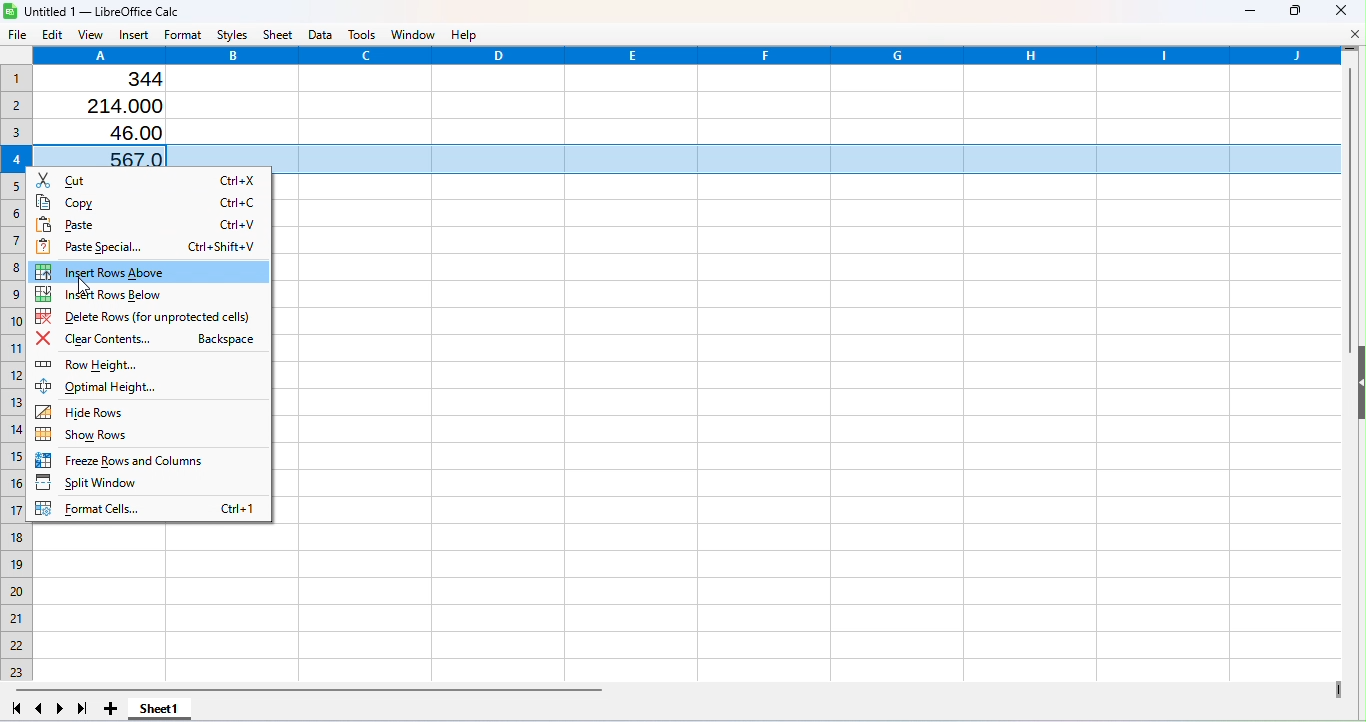 This screenshot has height=722, width=1366. I want to click on 567.0, so click(118, 156).